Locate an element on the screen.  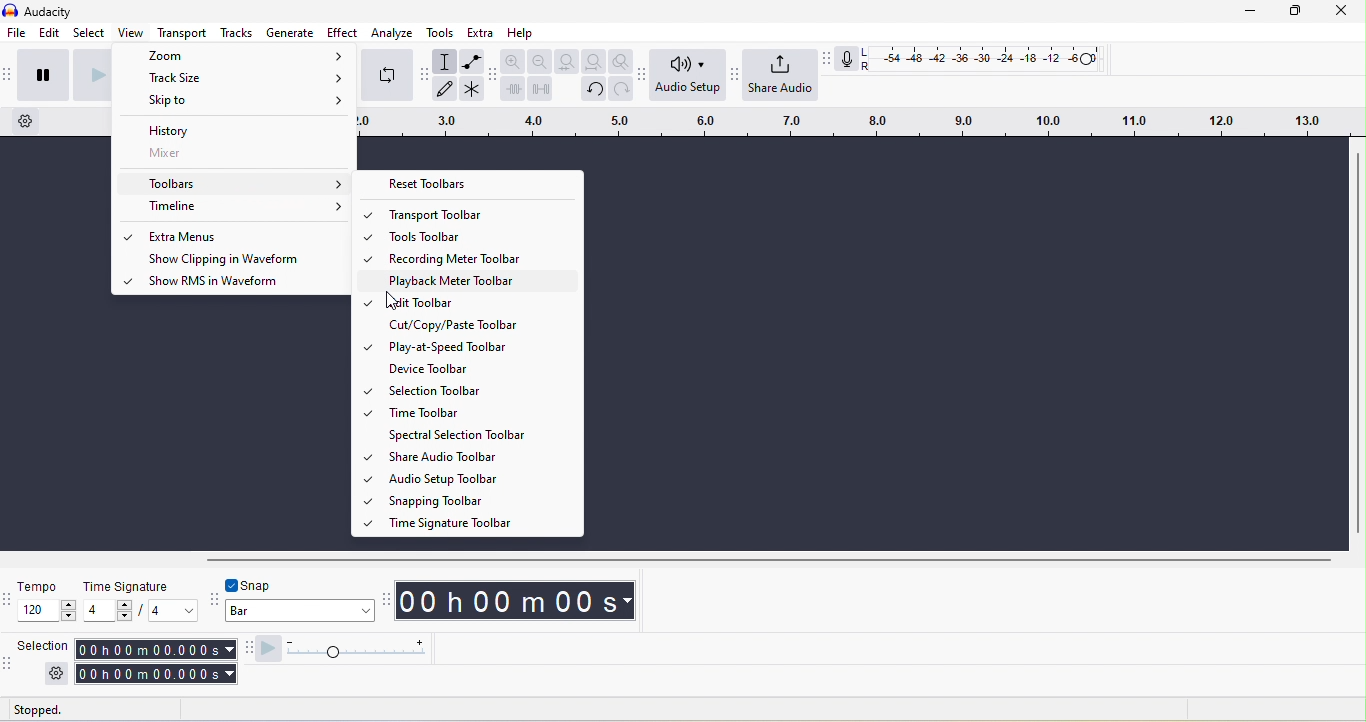
set time signature is located at coordinates (174, 610).